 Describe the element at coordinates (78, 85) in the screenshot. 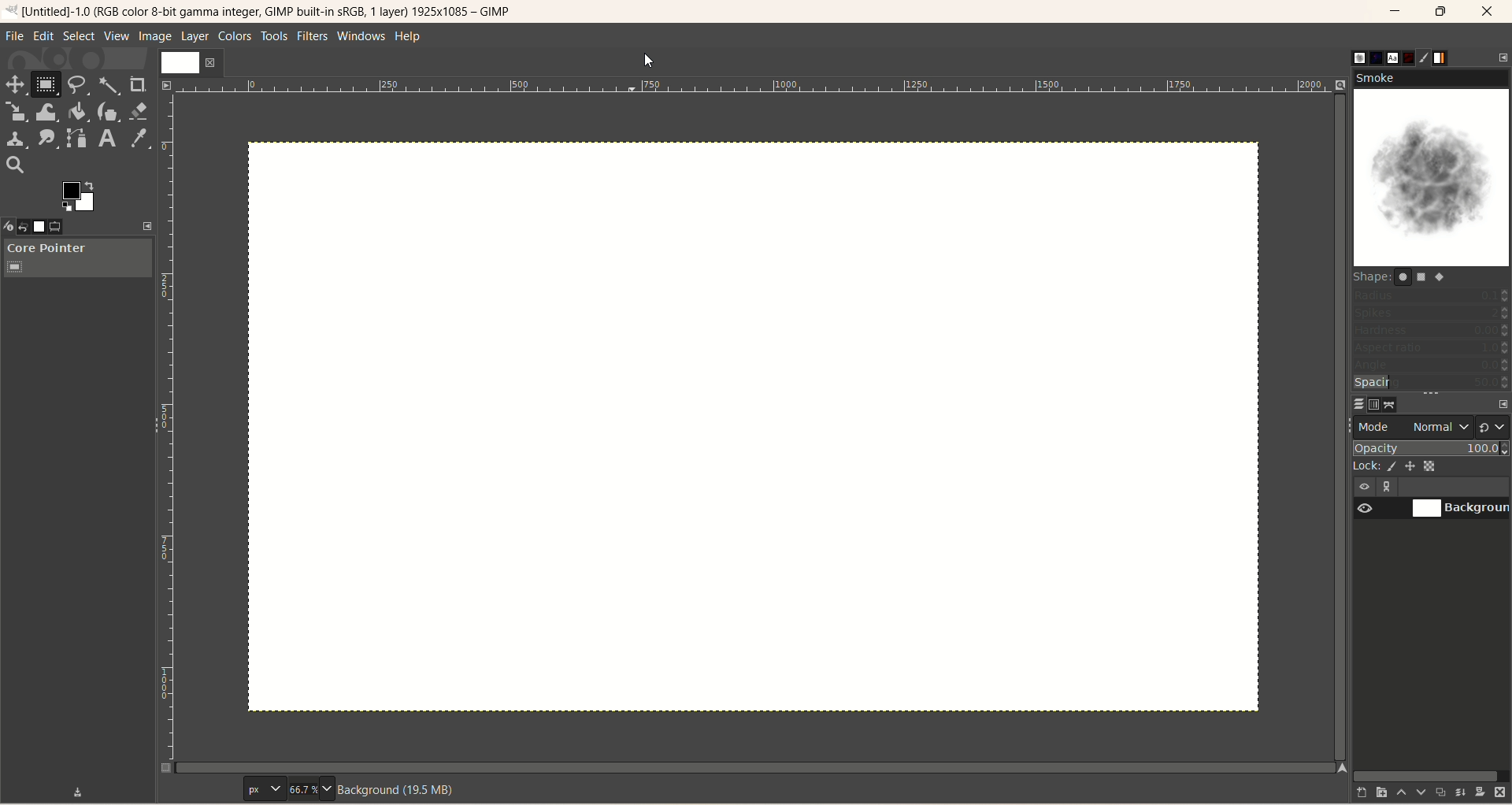

I see `free select tool` at that location.